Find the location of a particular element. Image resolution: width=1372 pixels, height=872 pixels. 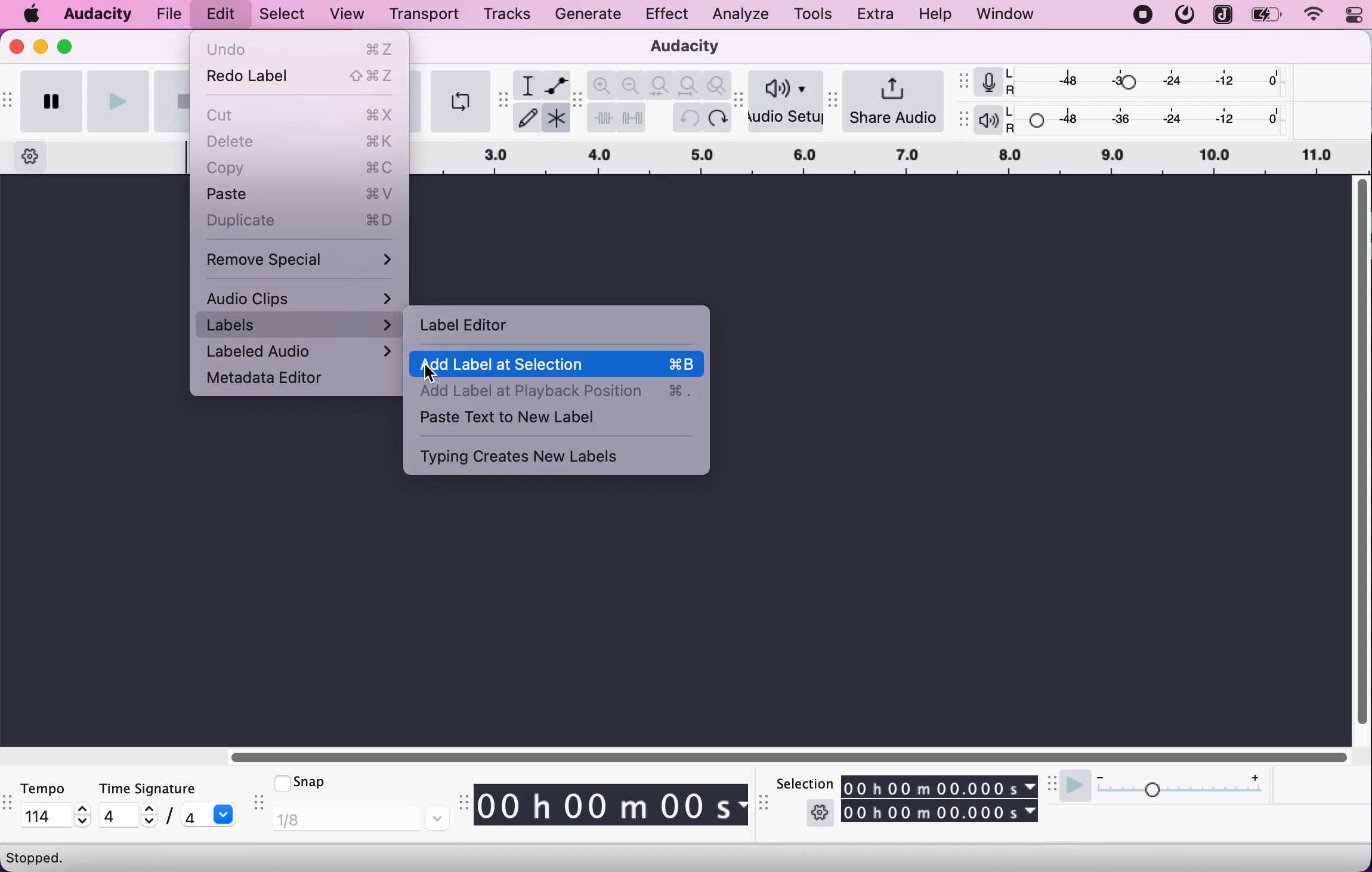

paste text to new label is located at coordinates (557, 419).